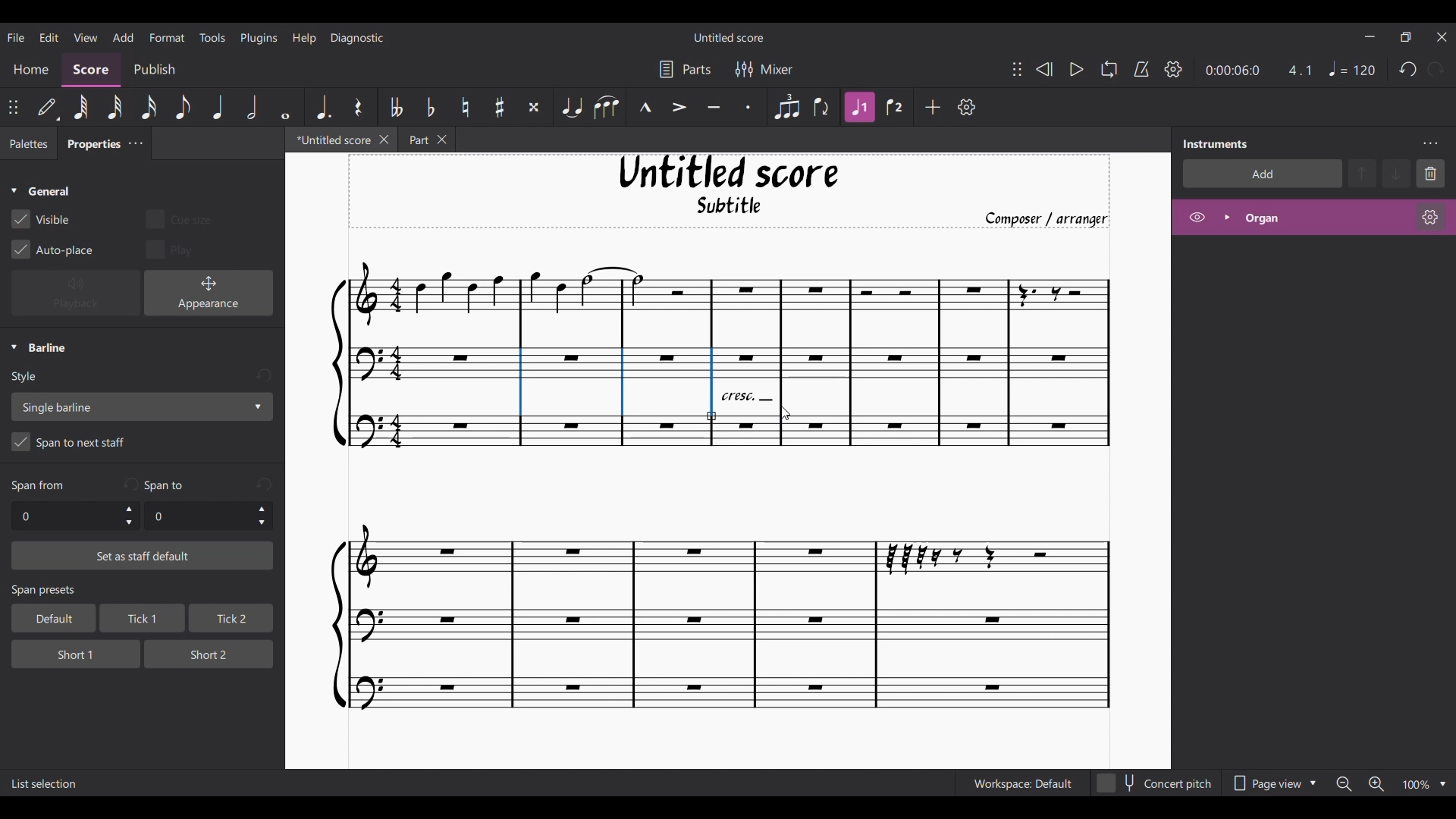 The width and height of the screenshot is (1456, 819). Describe the element at coordinates (1016, 69) in the screenshot. I see `Change position of toolbar attached` at that location.